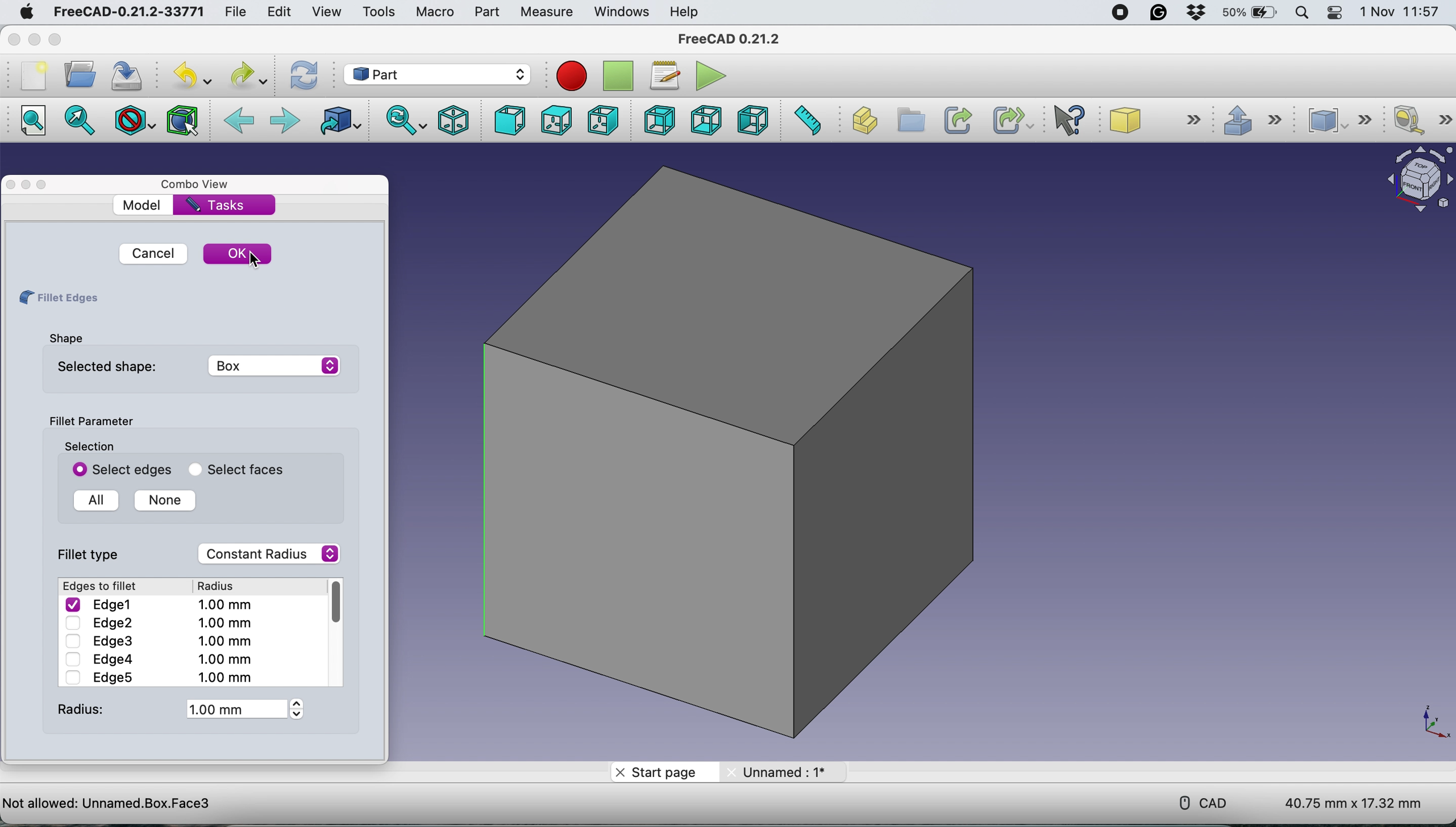 The height and width of the screenshot is (827, 1456). What do you see at coordinates (84, 120) in the screenshot?
I see `fit all selection` at bounding box center [84, 120].